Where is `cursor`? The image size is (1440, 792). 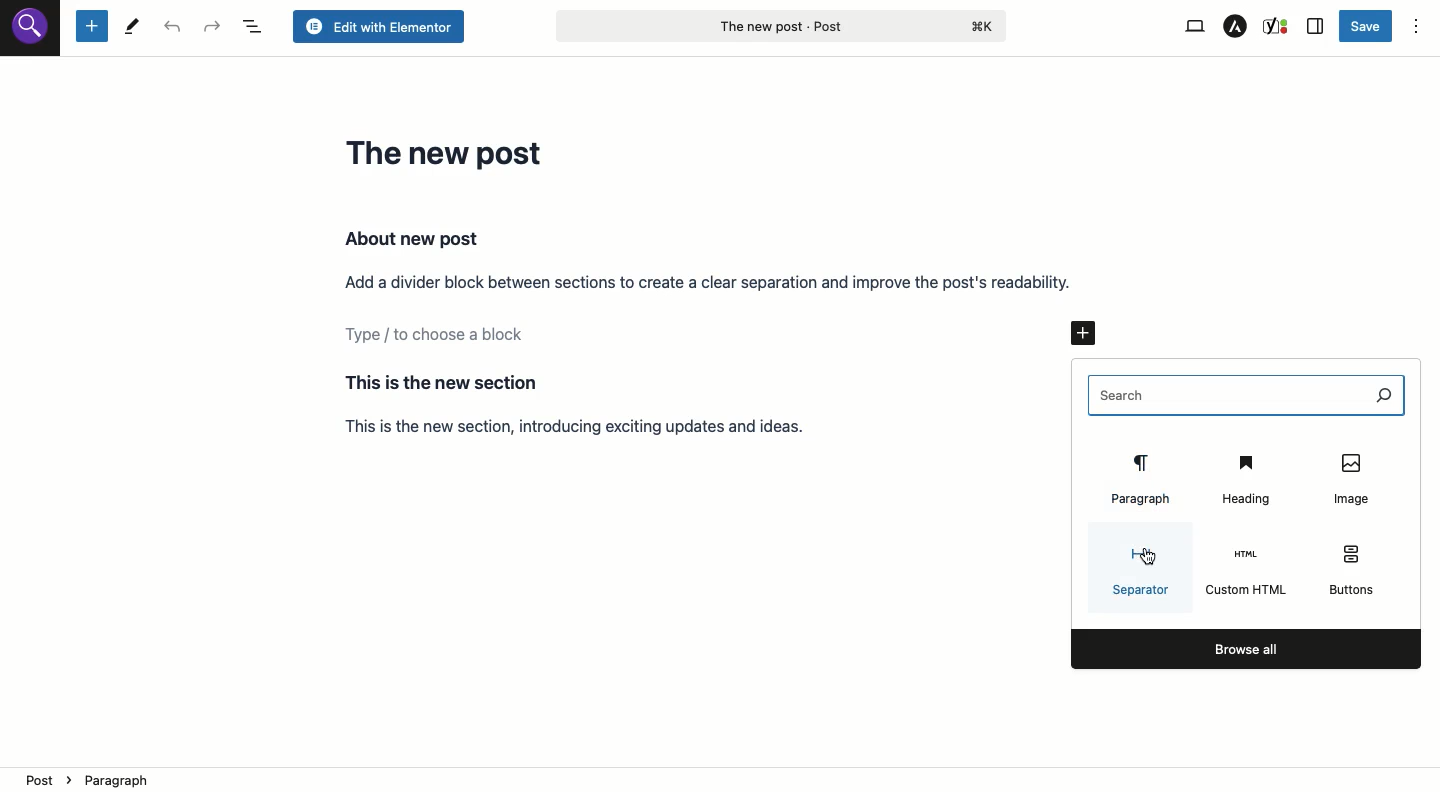 cursor is located at coordinates (1148, 557).